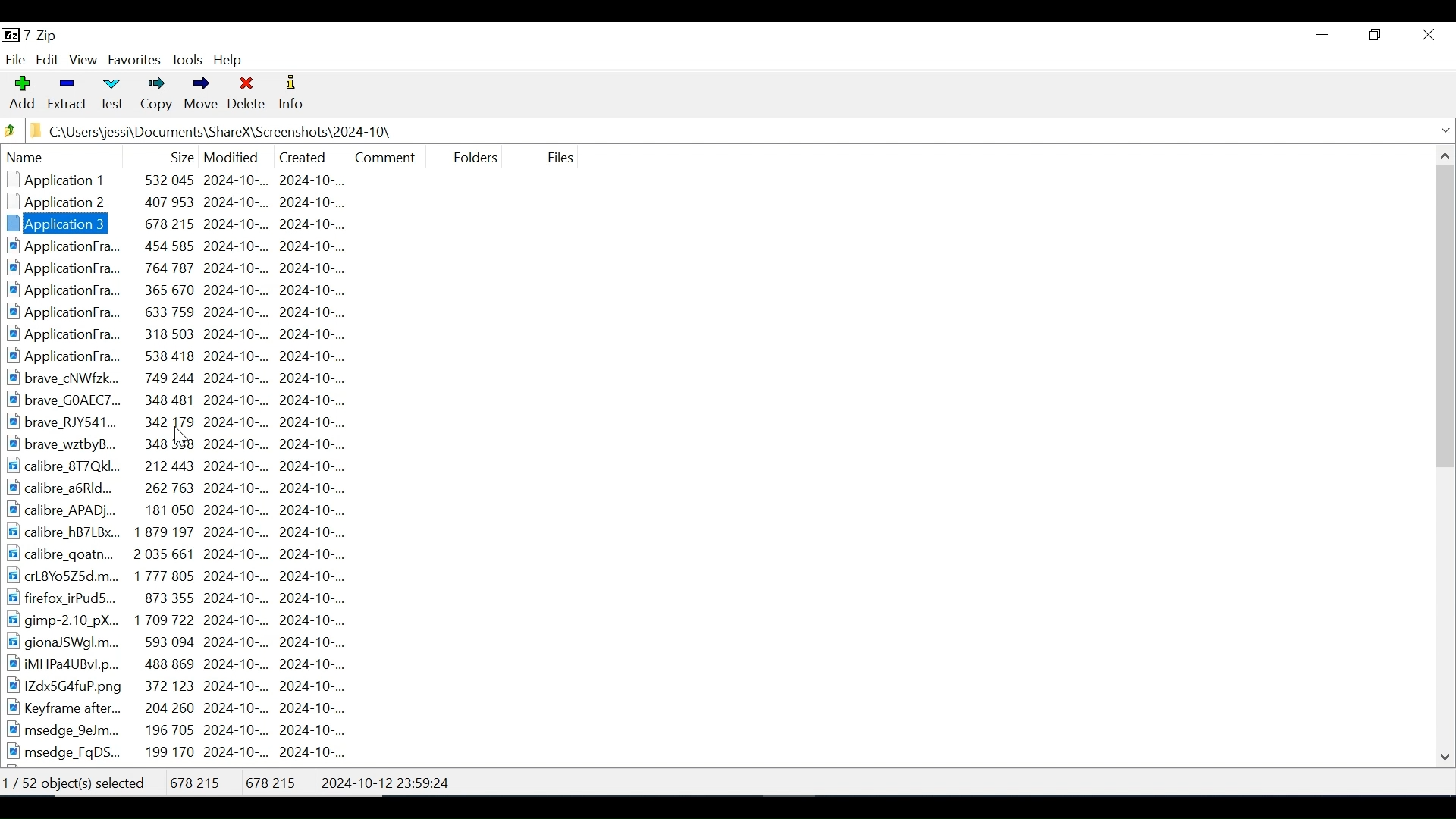 Image resolution: width=1456 pixels, height=819 pixels. What do you see at coordinates (193, 663) in the screenshot?
I see ` iMHPa4UBvl.p... 488 869 2024-10-.. 2024-10-...` at bounding box center [193, 663].